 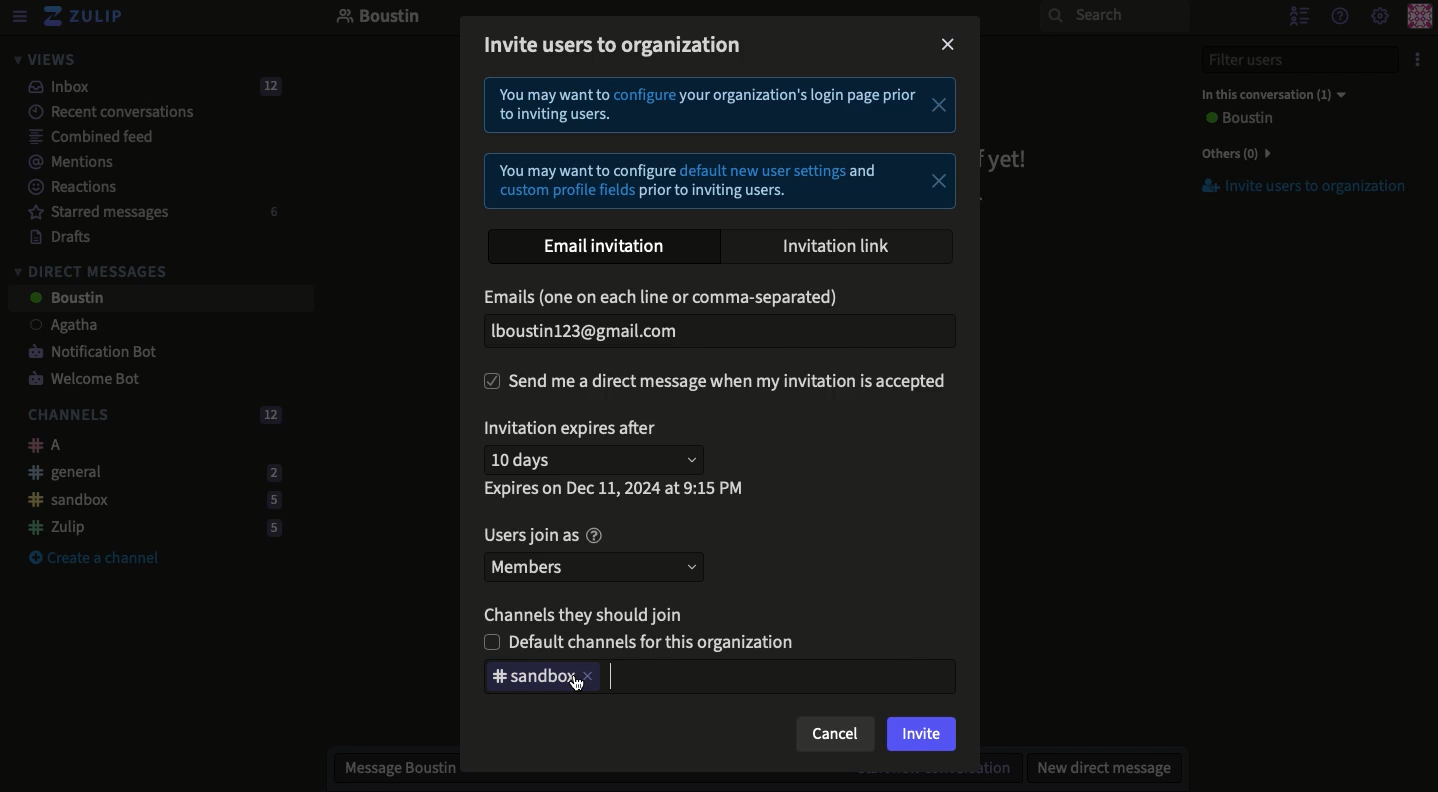 What do you see at coordinates (150, 416) in the screenshot?
I see `Channels` at bounding box center [150, 416].